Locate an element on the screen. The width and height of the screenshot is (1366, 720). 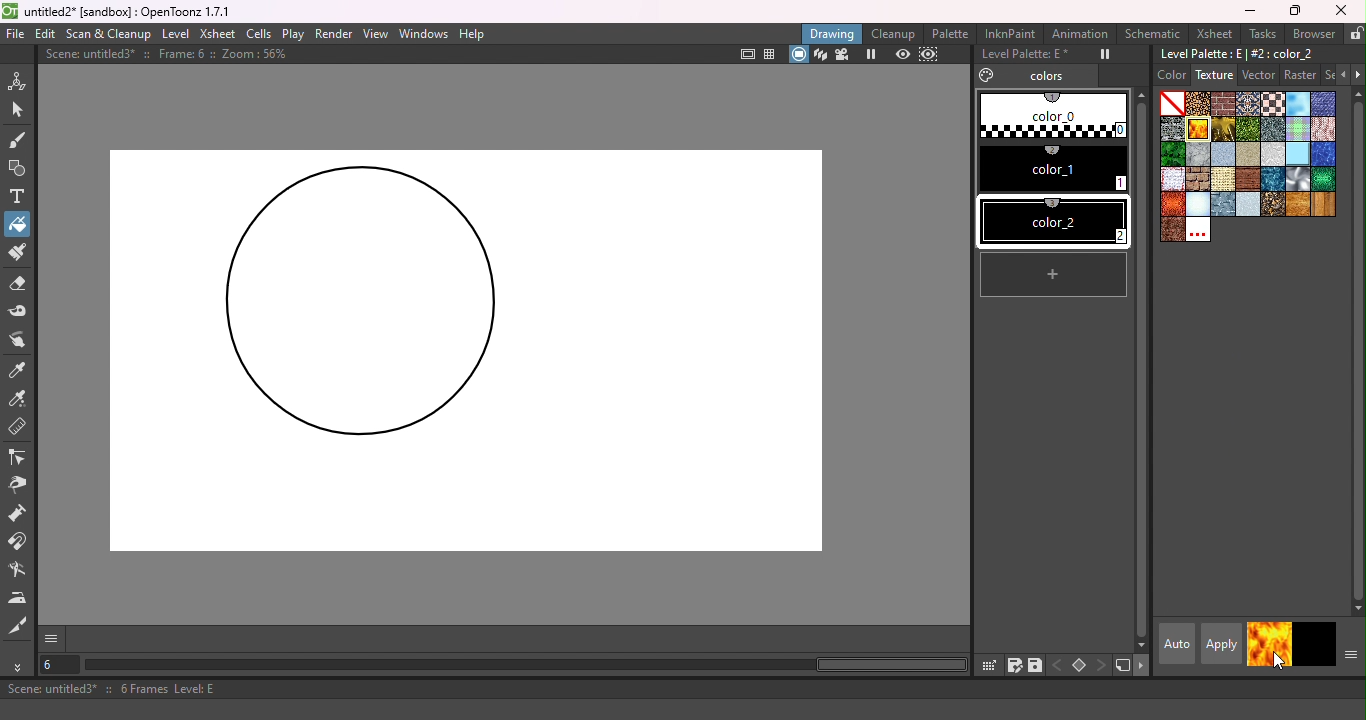
new style is located at coordinates (1054, 274).